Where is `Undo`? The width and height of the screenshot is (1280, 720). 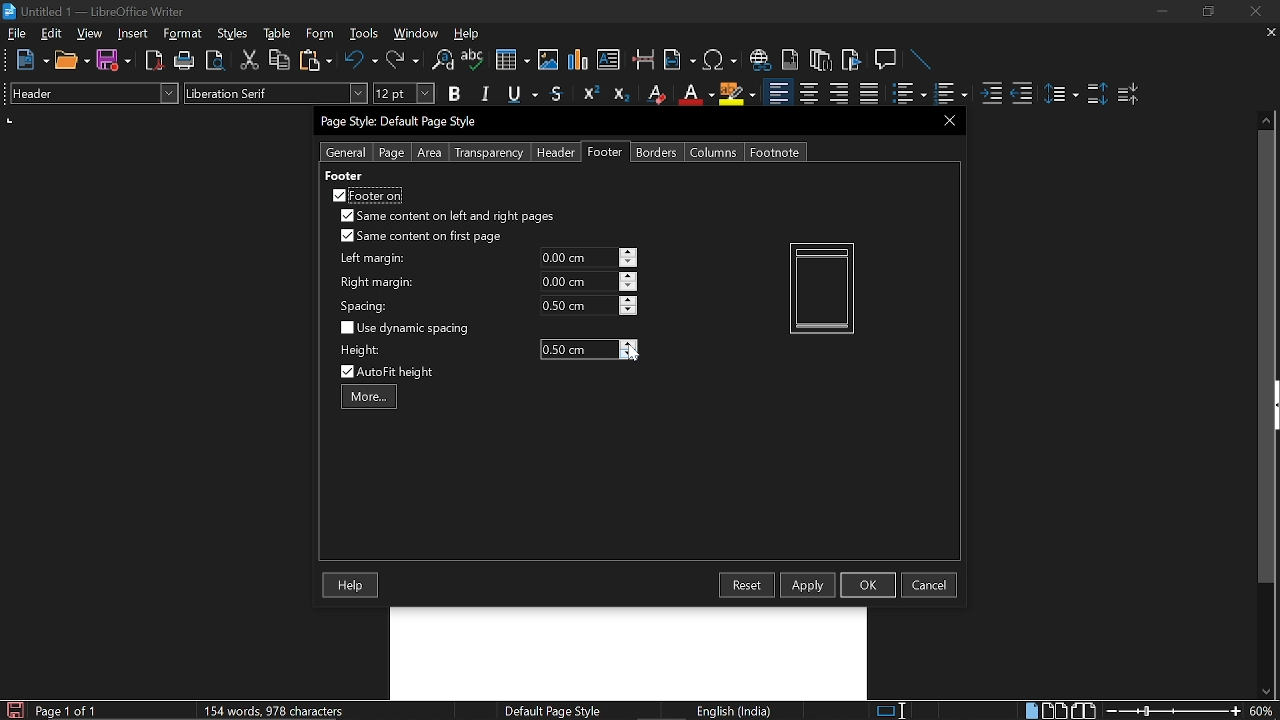 Undo is located at coordinates (362, 60).